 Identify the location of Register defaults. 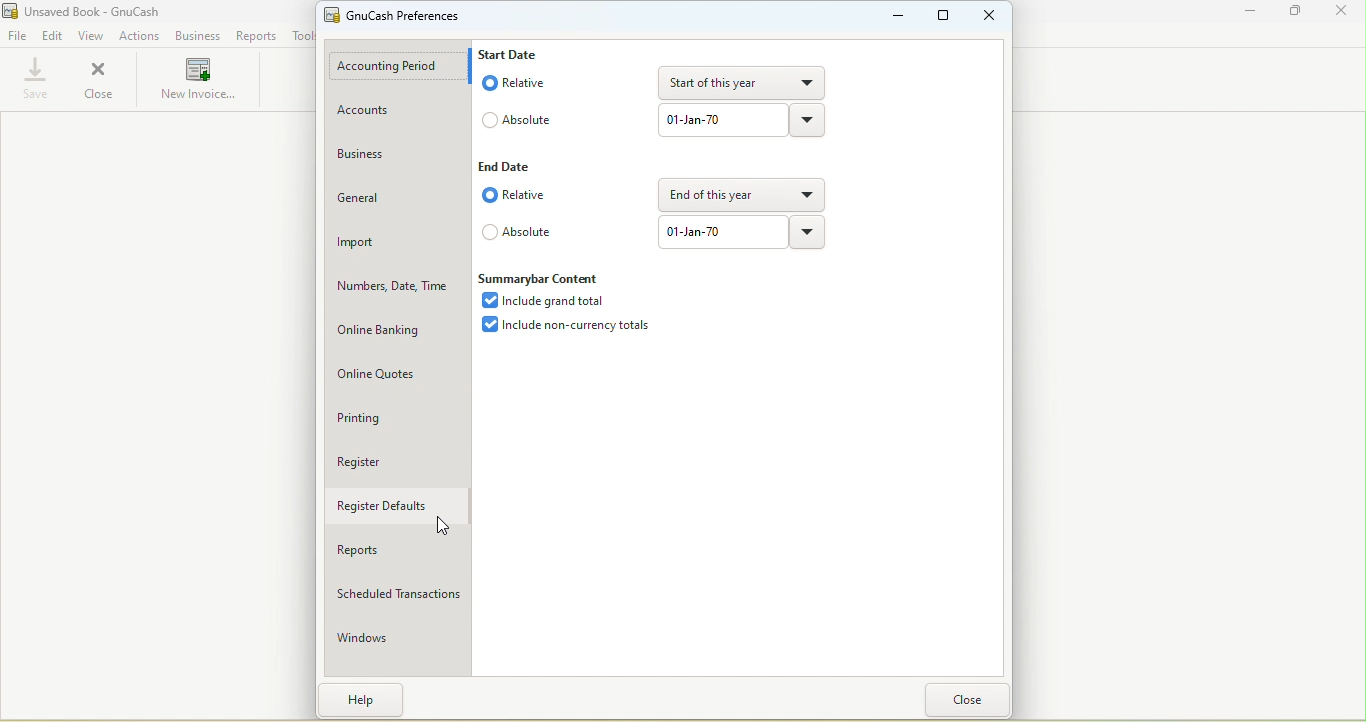
(392, 510).